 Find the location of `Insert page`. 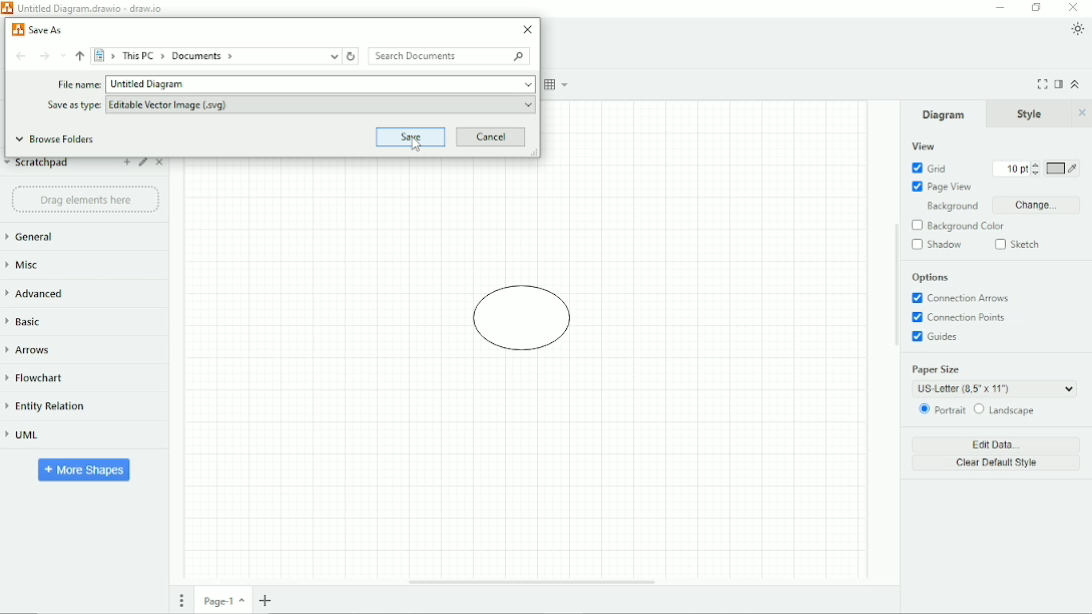

Insert page is located at coordinates (265, 600).